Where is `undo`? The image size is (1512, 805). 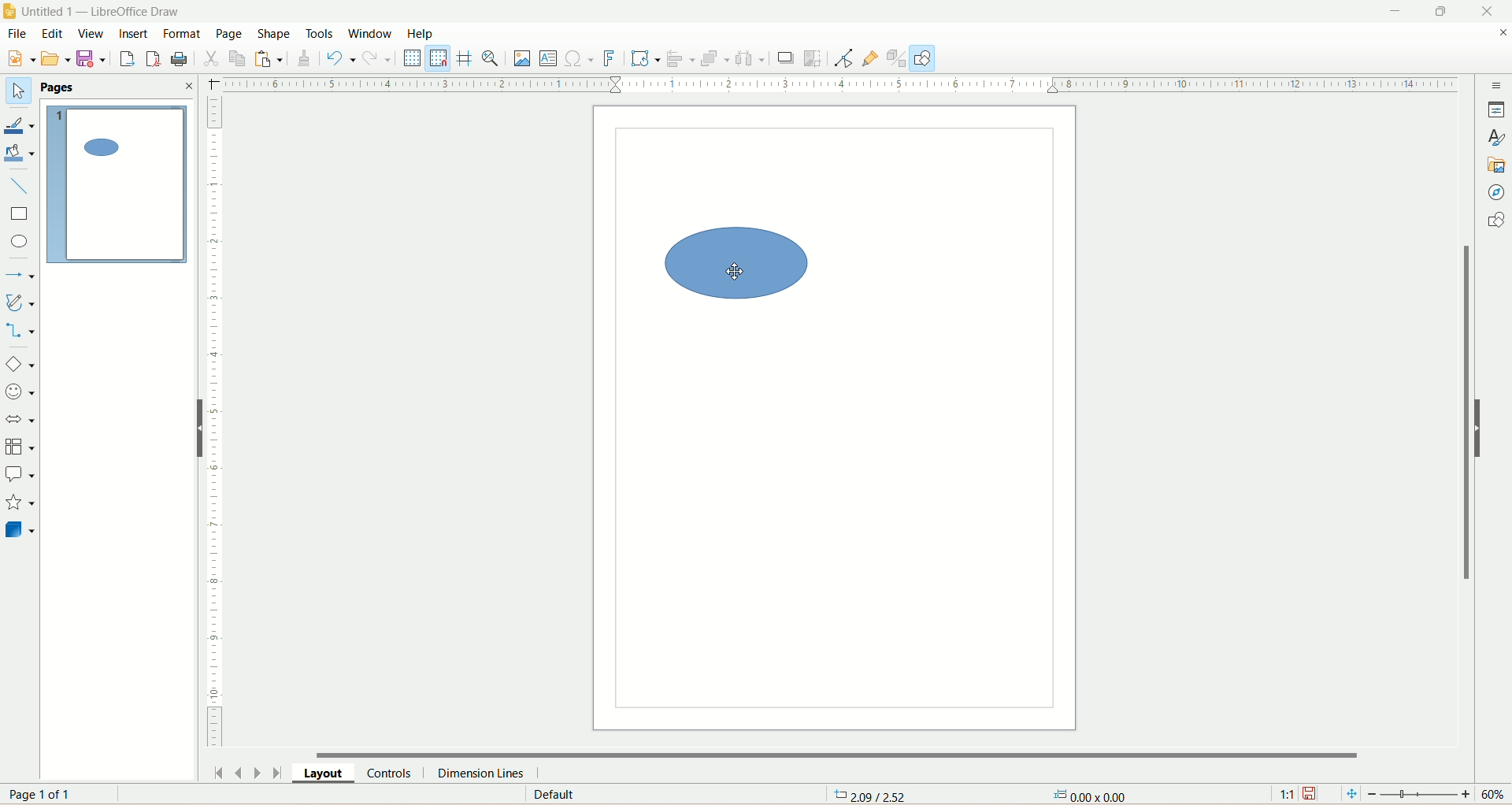
undo is located at coordinates (341, 58).